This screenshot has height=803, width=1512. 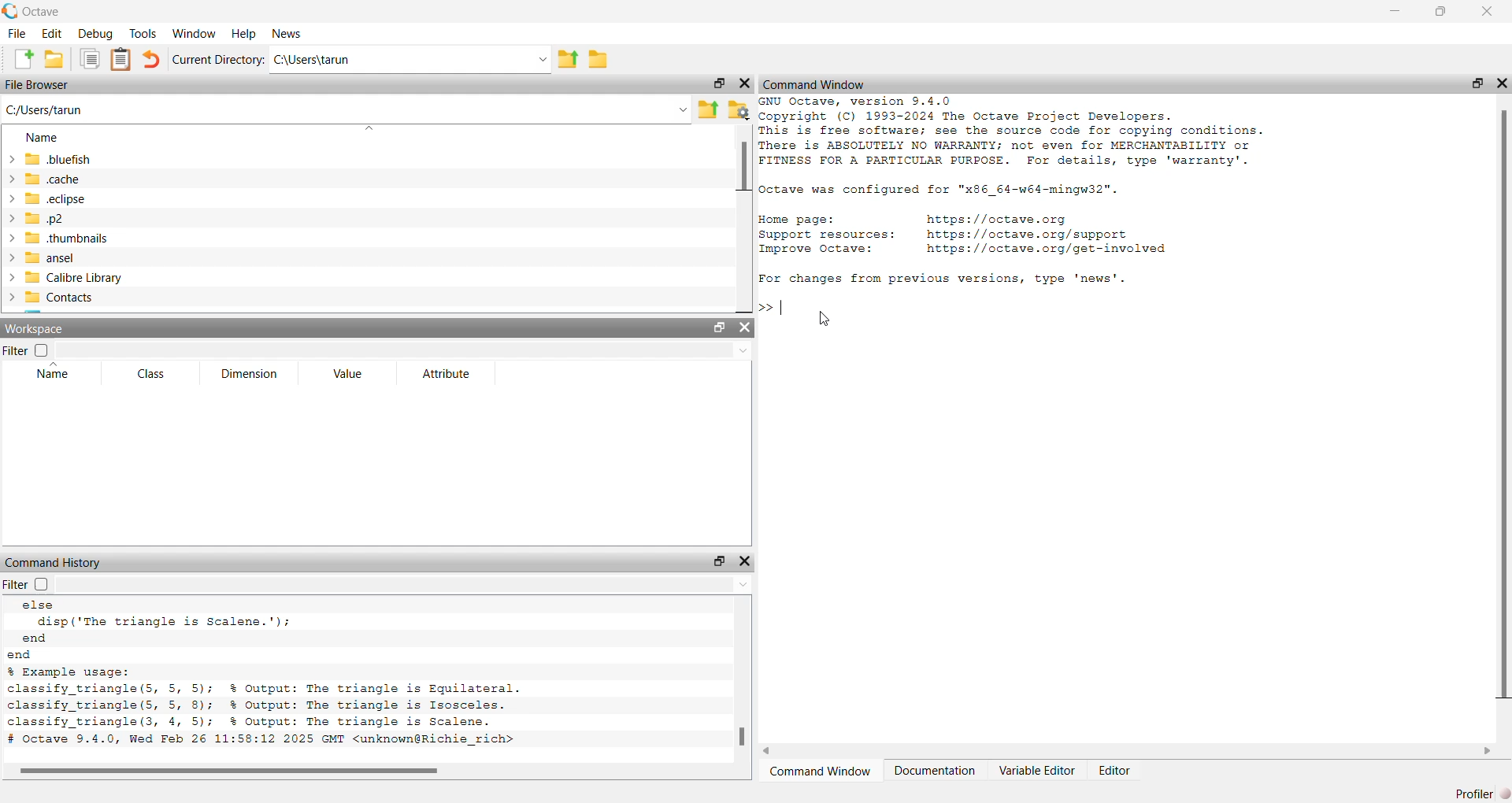 I want to click on octave, so click(x=54, y=9).